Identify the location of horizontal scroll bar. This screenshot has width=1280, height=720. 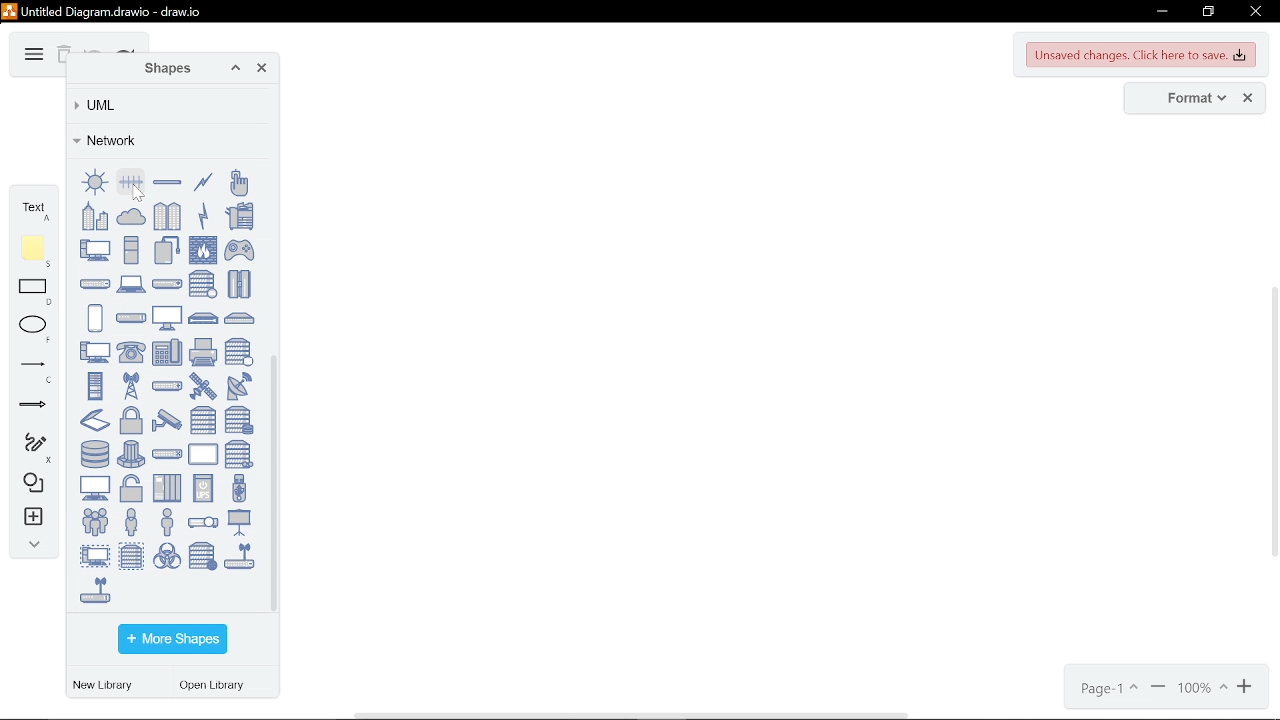
(634, 714).